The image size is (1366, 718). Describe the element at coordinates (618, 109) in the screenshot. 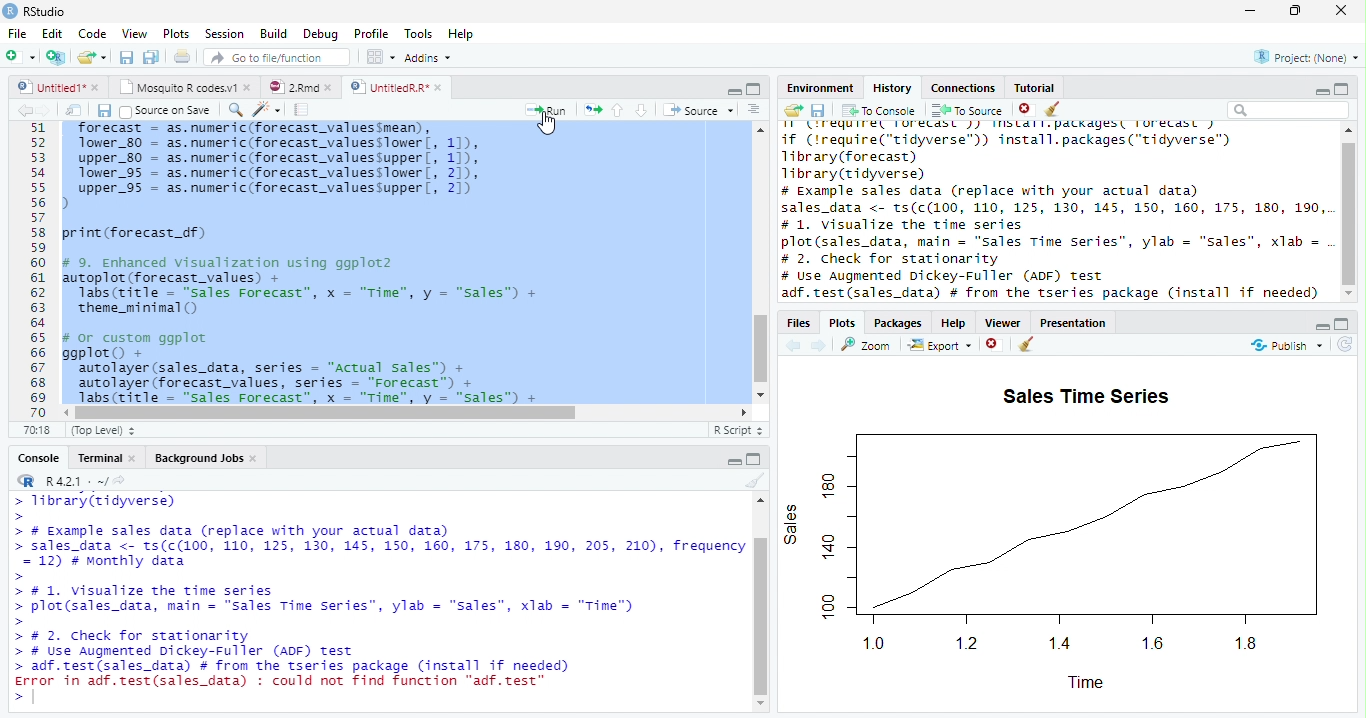

I see `Up` at that location.